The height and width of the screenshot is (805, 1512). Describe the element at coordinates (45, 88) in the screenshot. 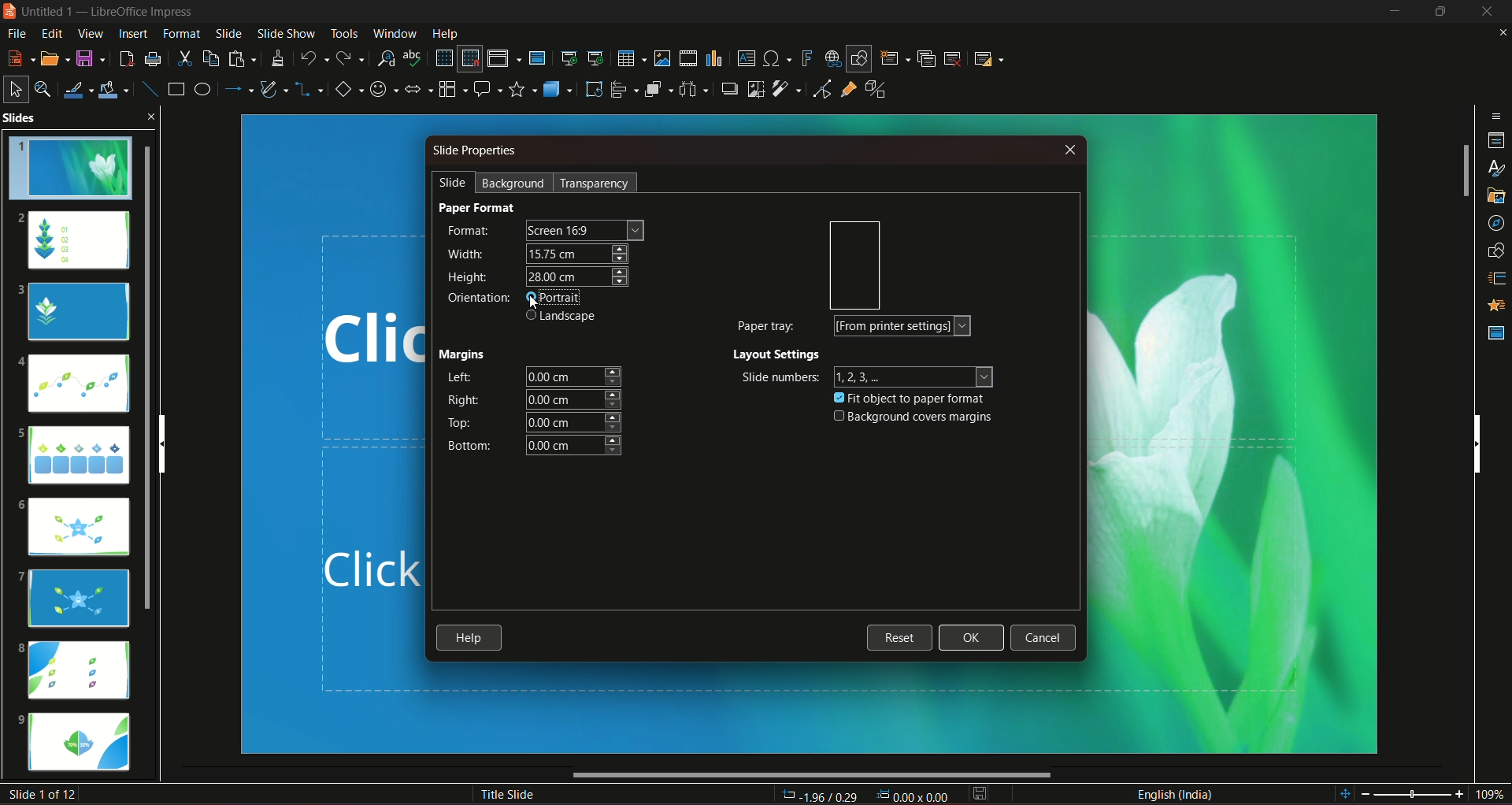

I see `zoom and pan` at that location.